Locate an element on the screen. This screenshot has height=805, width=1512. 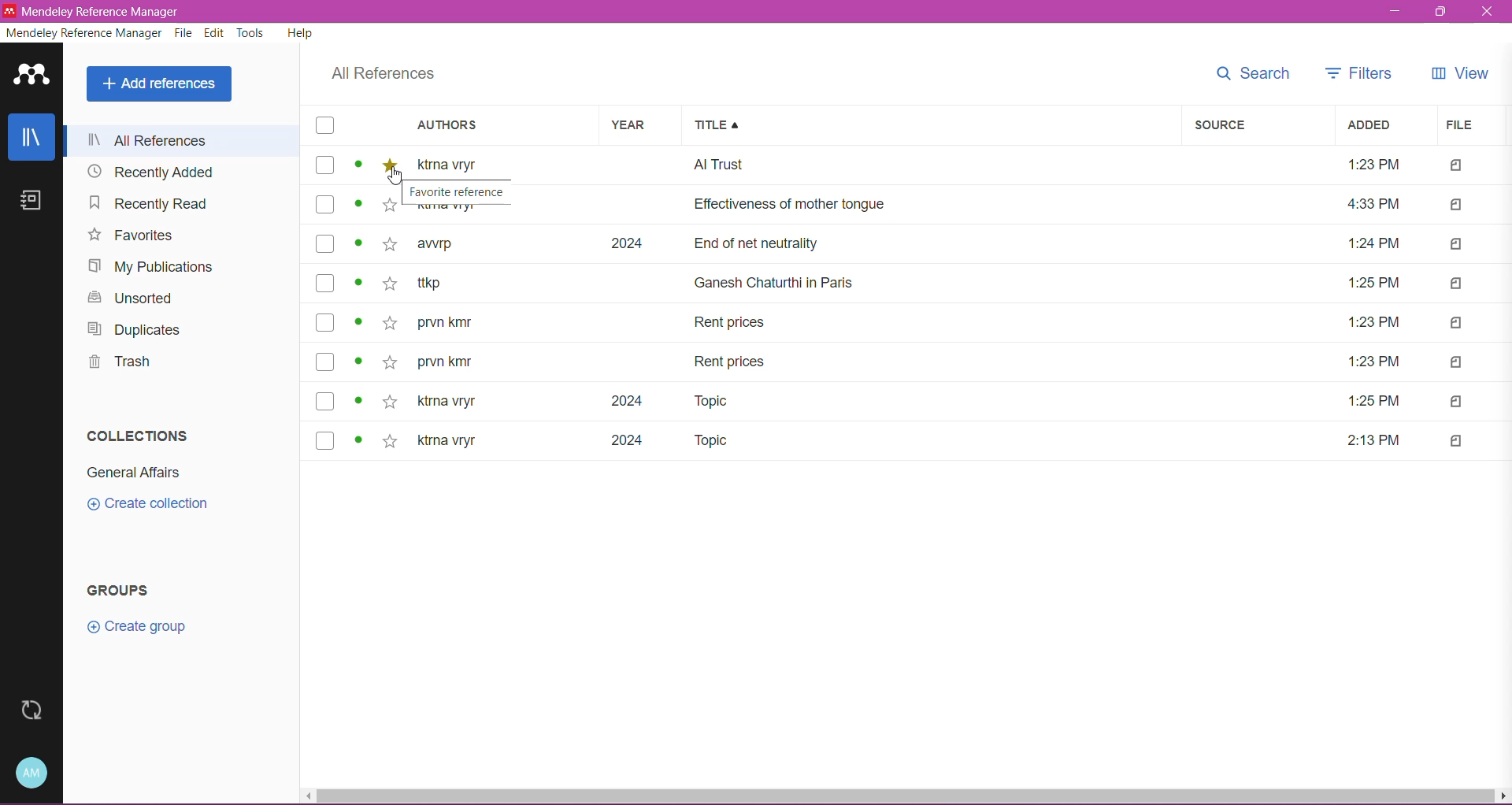
Add References is located at coordinates (159, 84).